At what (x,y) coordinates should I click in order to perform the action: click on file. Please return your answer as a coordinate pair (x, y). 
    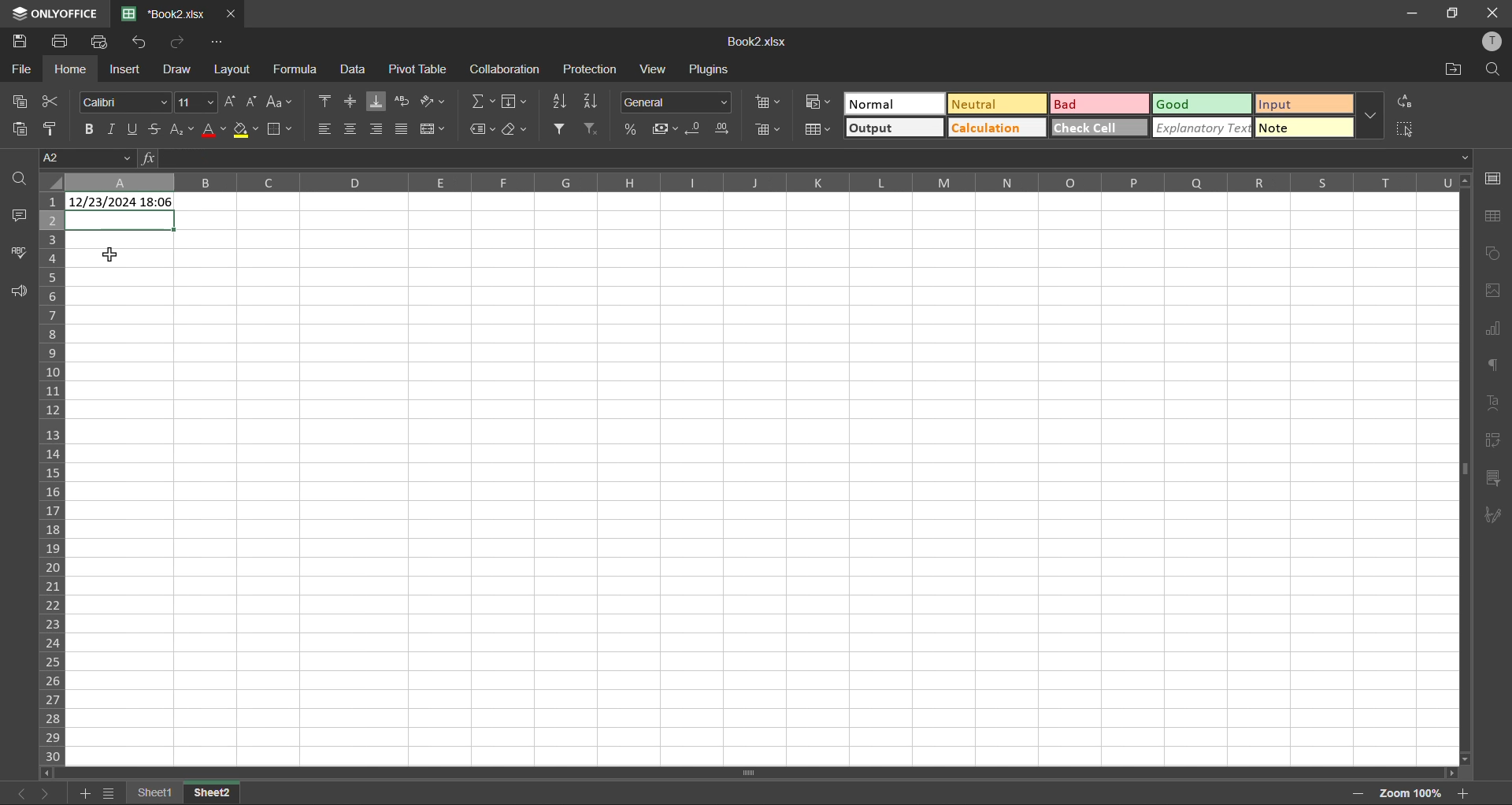
    Looking at the image, I should click on (22, 72).